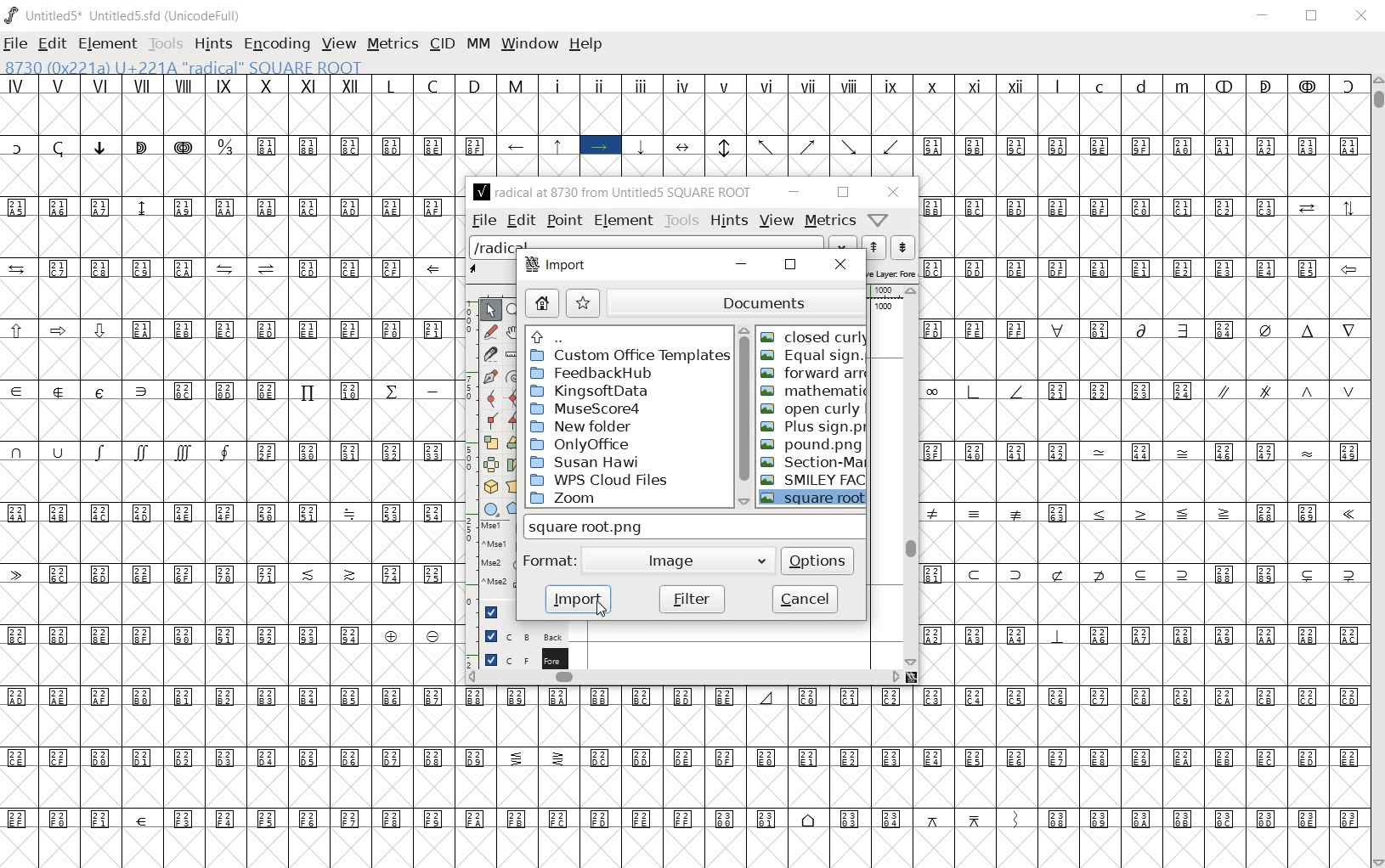 This screenshot has width=1385, height=868. What do you see at coordinates (1362, 15) in the screenshot?
I see `CLOSE` at bounding box center [1362, 15].